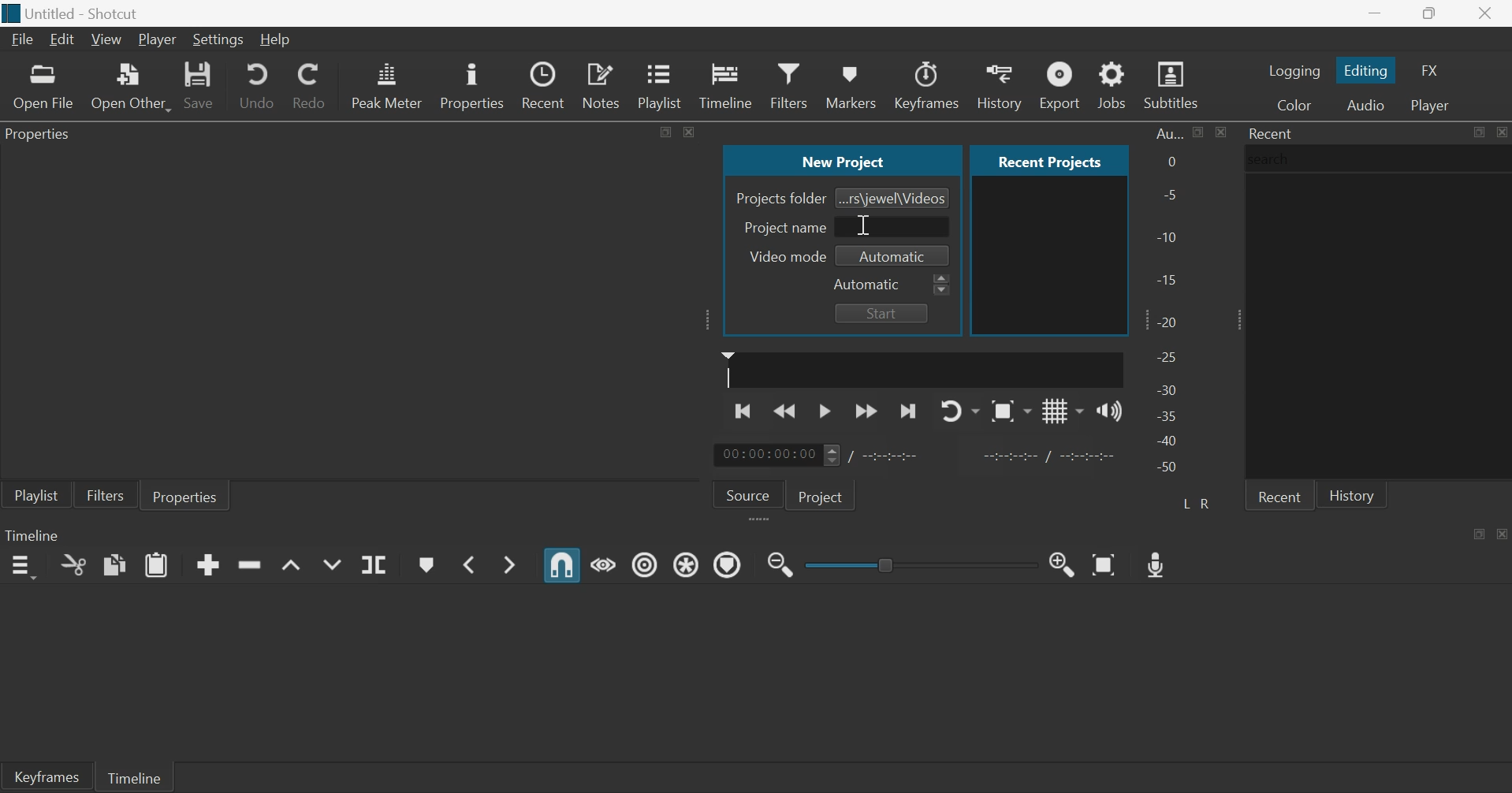 Image resolution: width=1512 pixels, height=793 pixels. Describe the element at coordinates (663, 84) in the screenshot. I see `Playlist` at that location.